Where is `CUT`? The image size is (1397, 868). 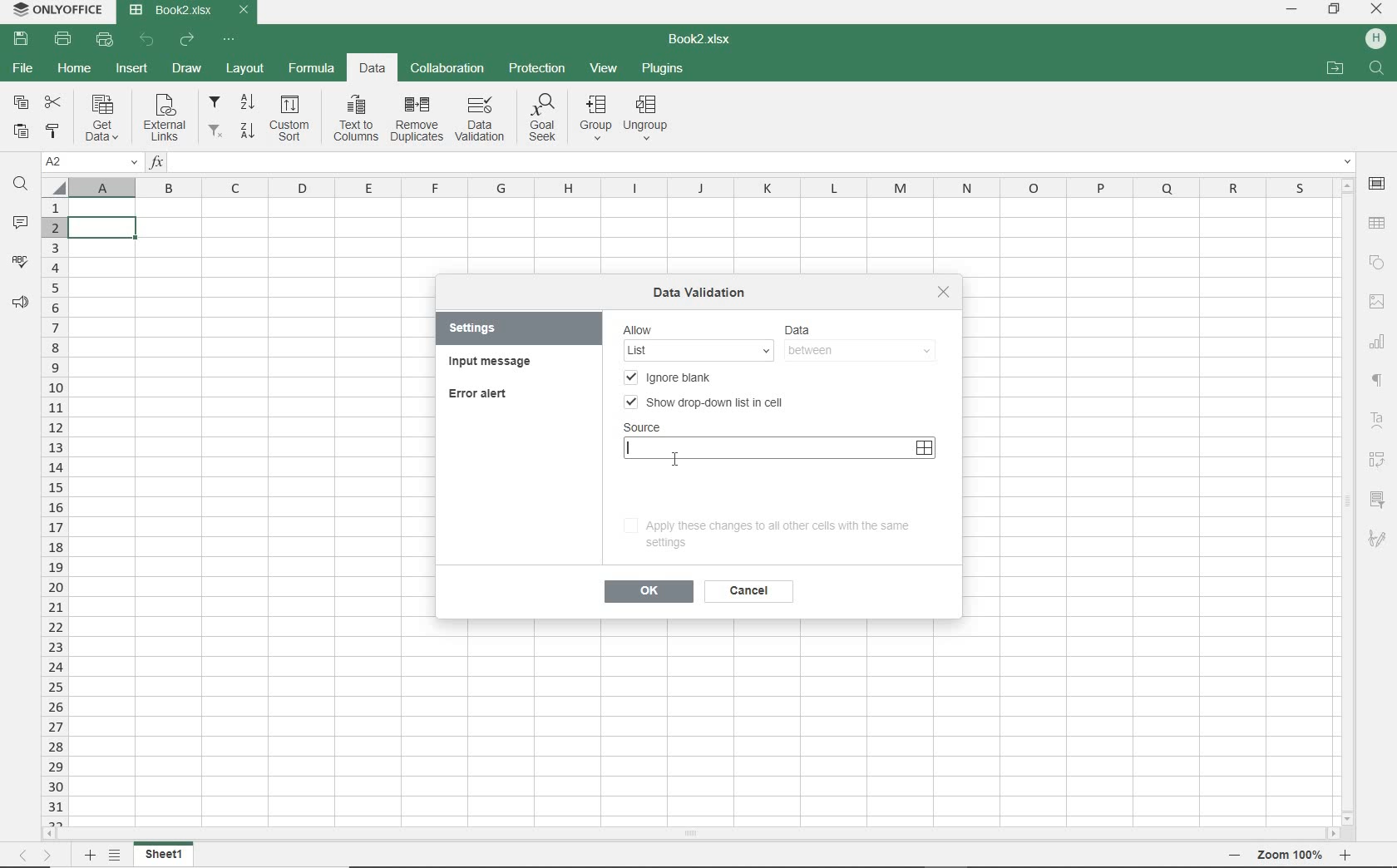
CUT is located at coordinates (53, 103).